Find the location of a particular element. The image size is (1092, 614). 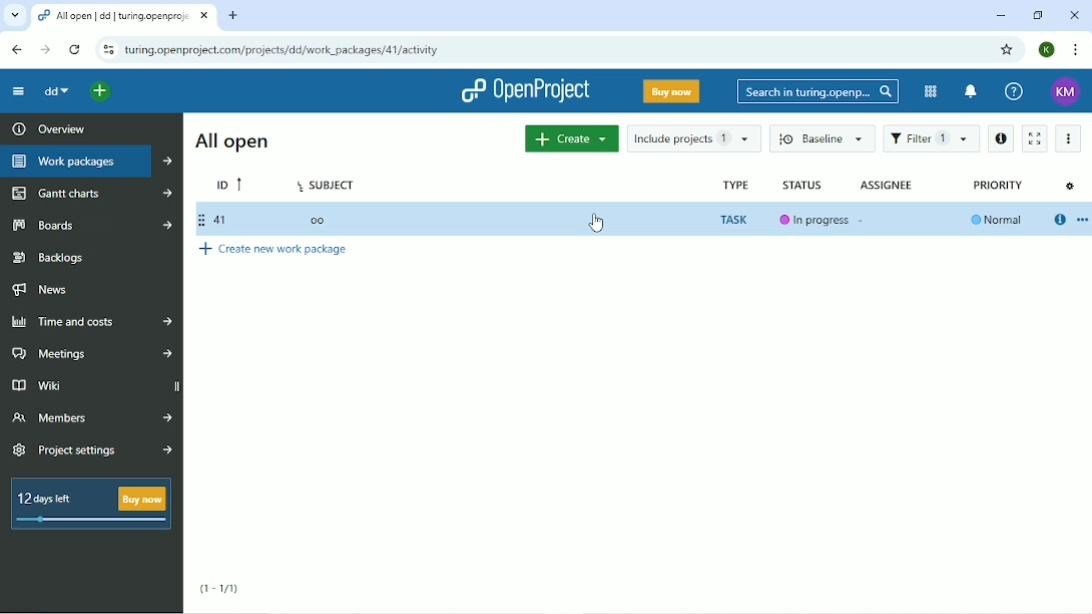

Subject is located at coordinates (327, 182).